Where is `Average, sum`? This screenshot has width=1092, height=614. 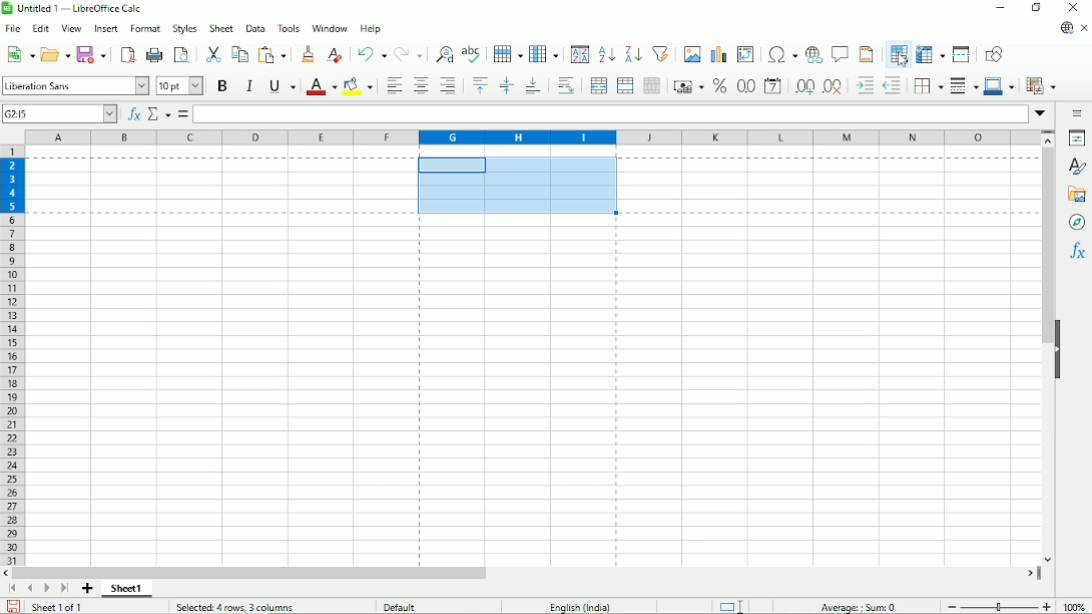
Average, sum is located at coordinates (860, 605).